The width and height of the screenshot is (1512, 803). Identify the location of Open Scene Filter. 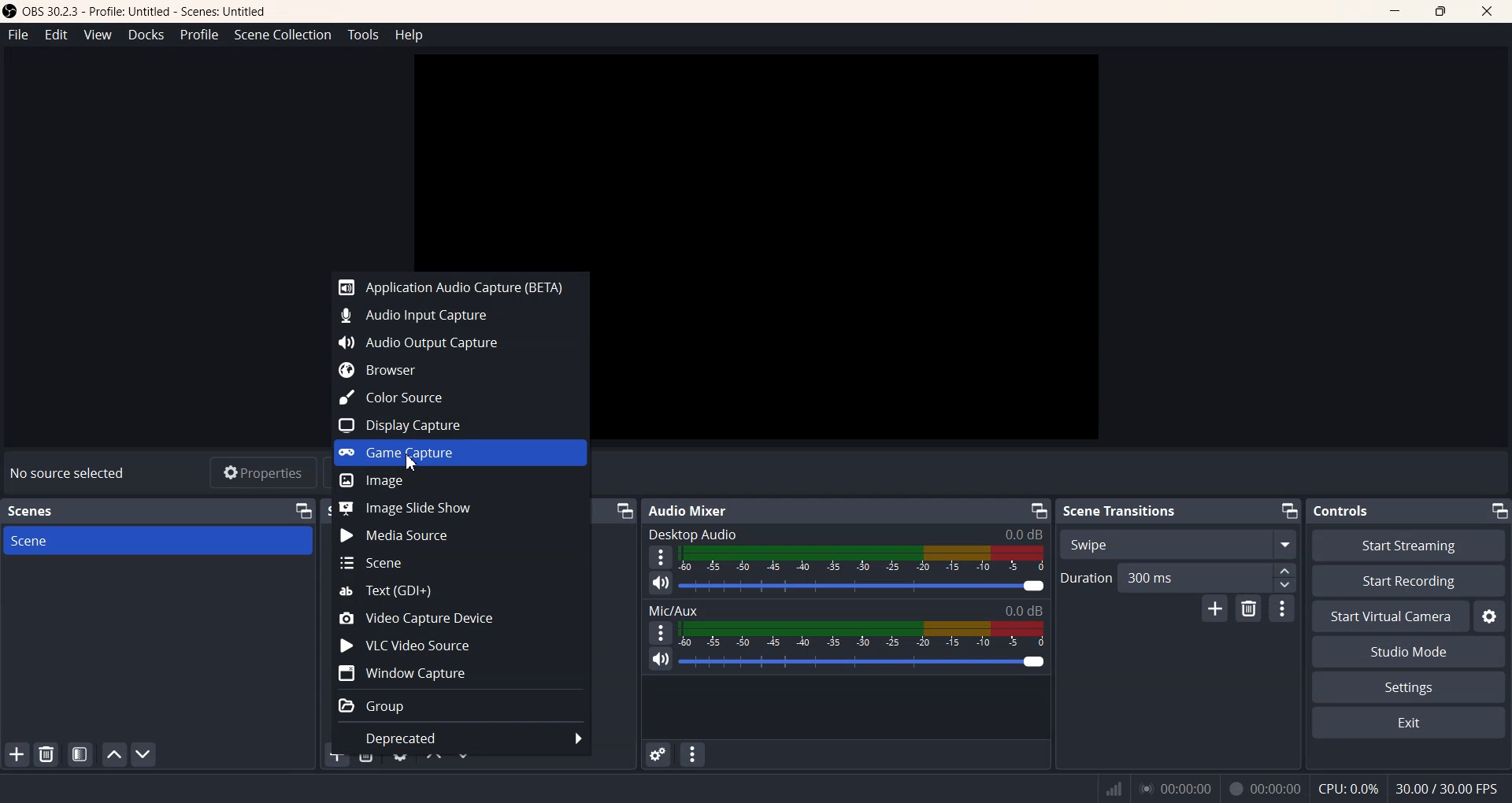
(80, 754).